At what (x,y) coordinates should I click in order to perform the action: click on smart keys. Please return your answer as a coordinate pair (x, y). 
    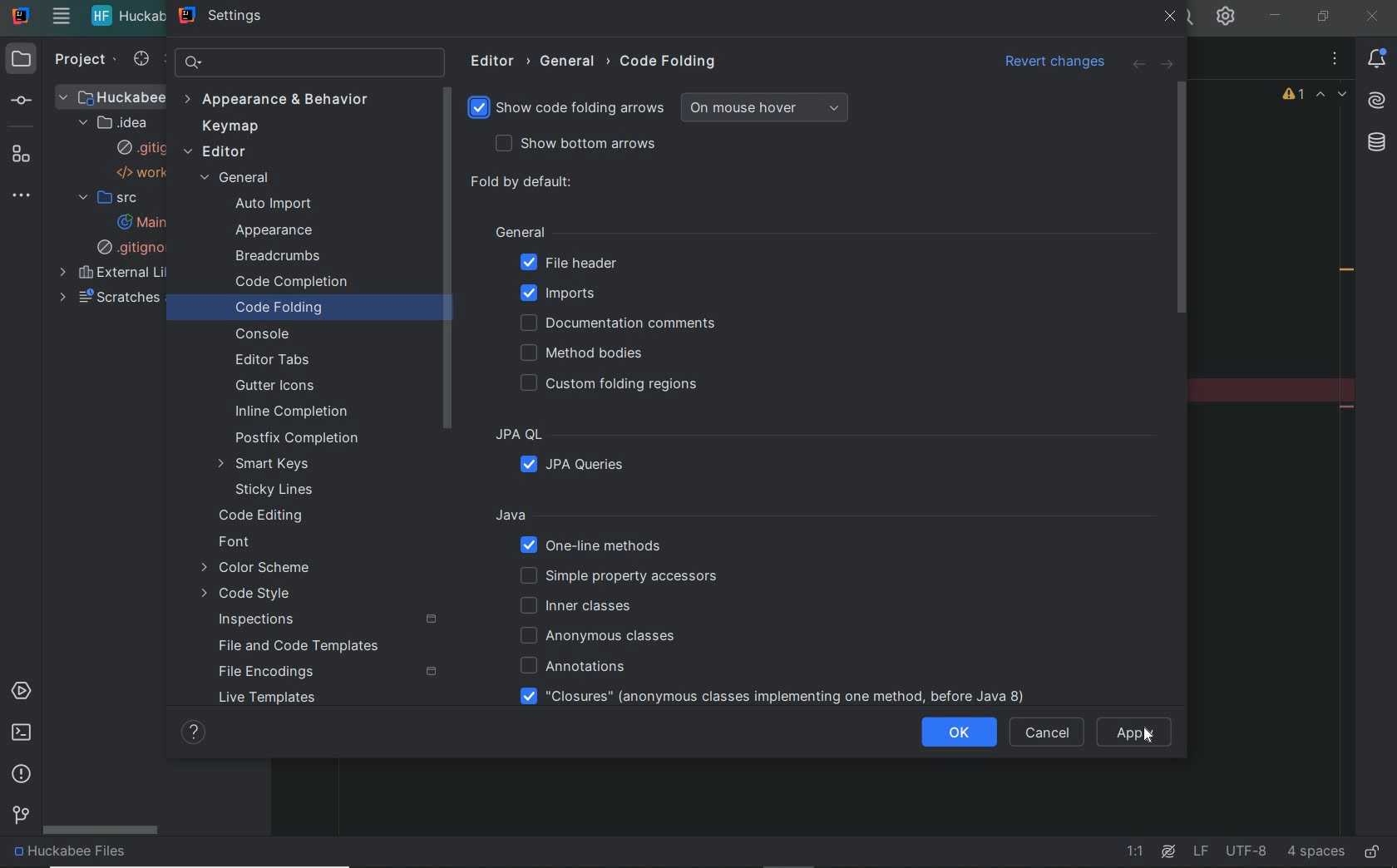
    Looking at the image, I should click on (267, 463).